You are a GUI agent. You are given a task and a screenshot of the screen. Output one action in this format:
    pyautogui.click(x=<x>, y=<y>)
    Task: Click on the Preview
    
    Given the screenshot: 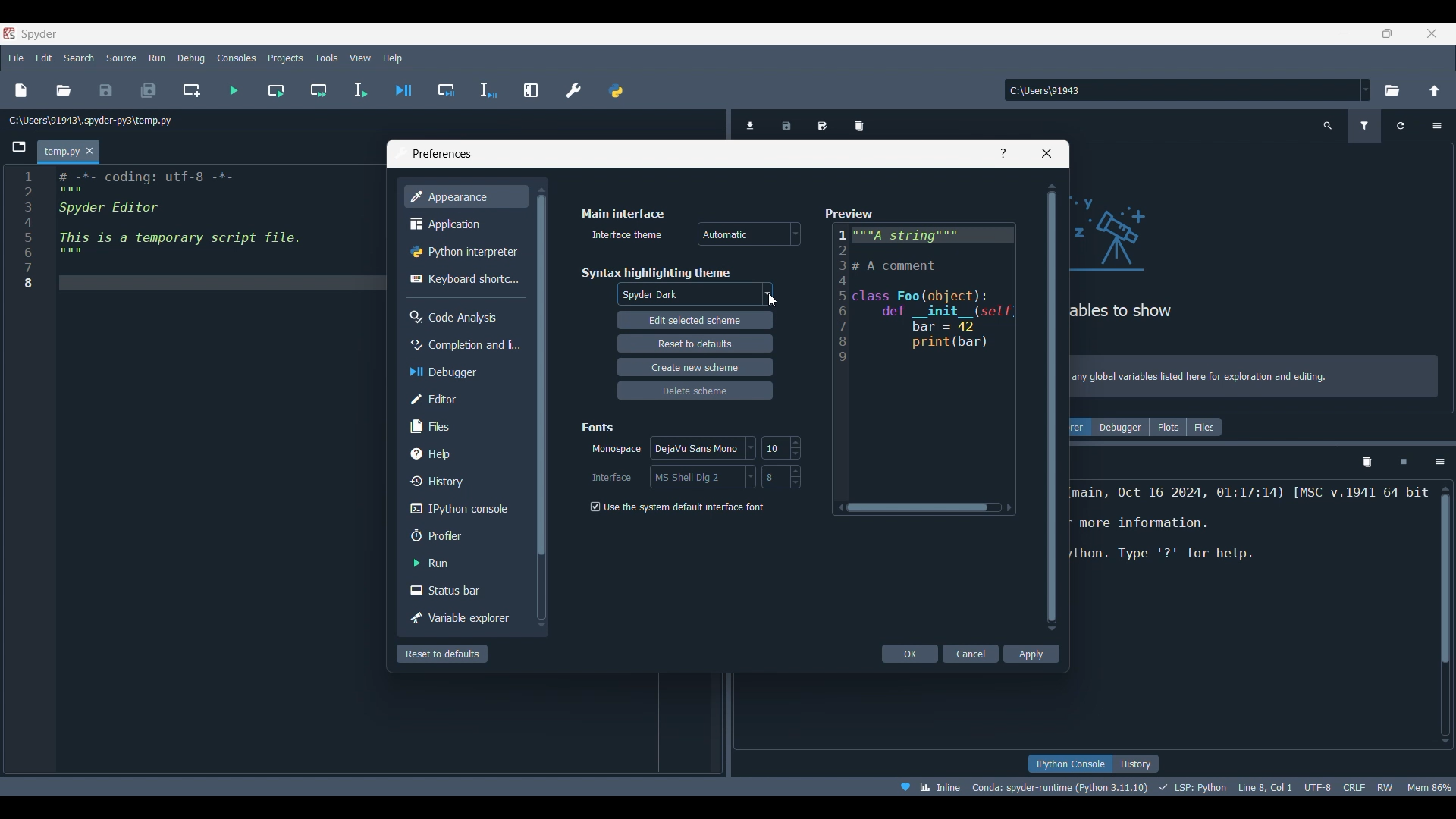 What is the action you would take?
    pyautogui.click(x=921, y=362)
    